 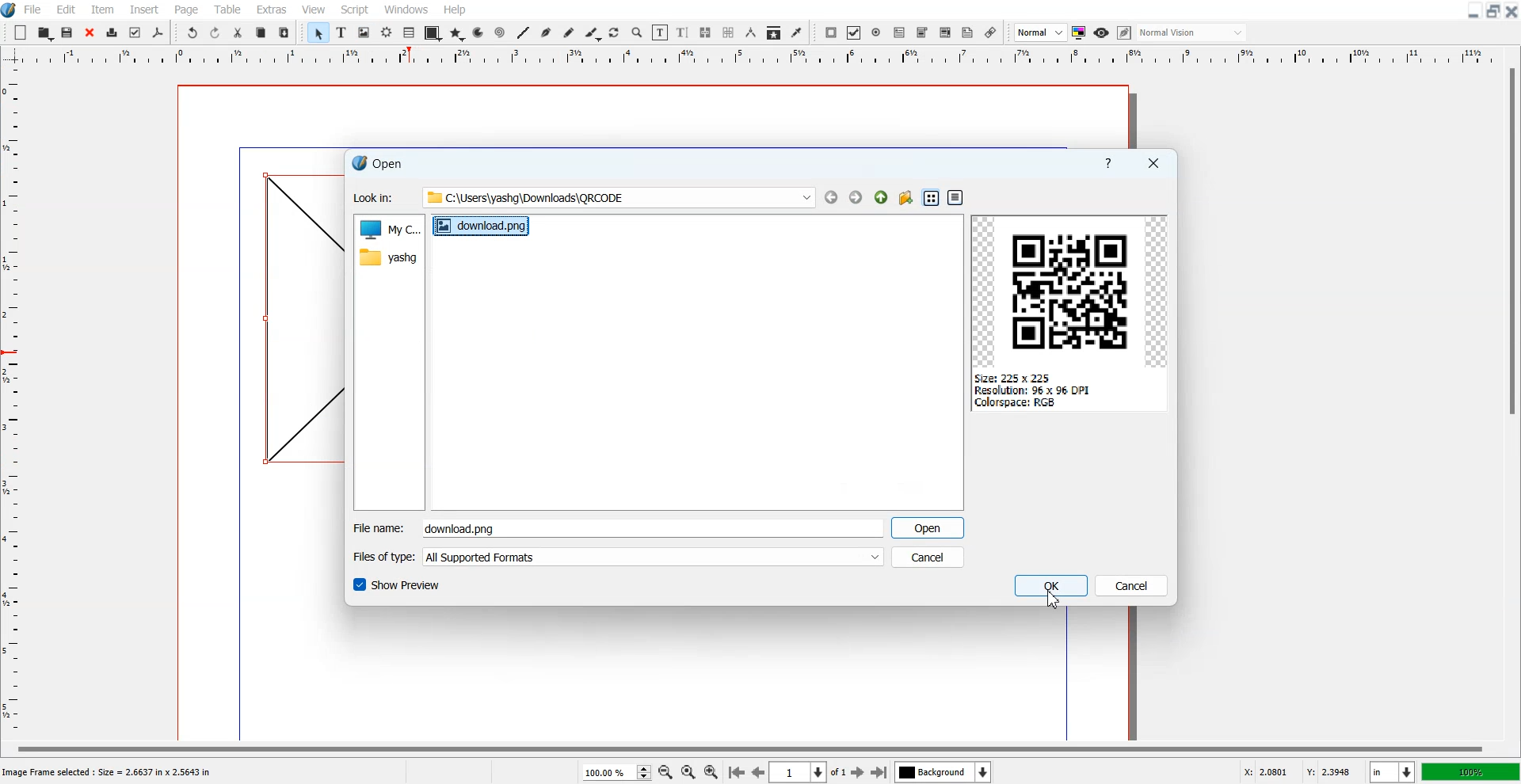 What do you see at coordinates (378, 164) in the screenshot?
I see `Text` at bounding box center [378, 164].